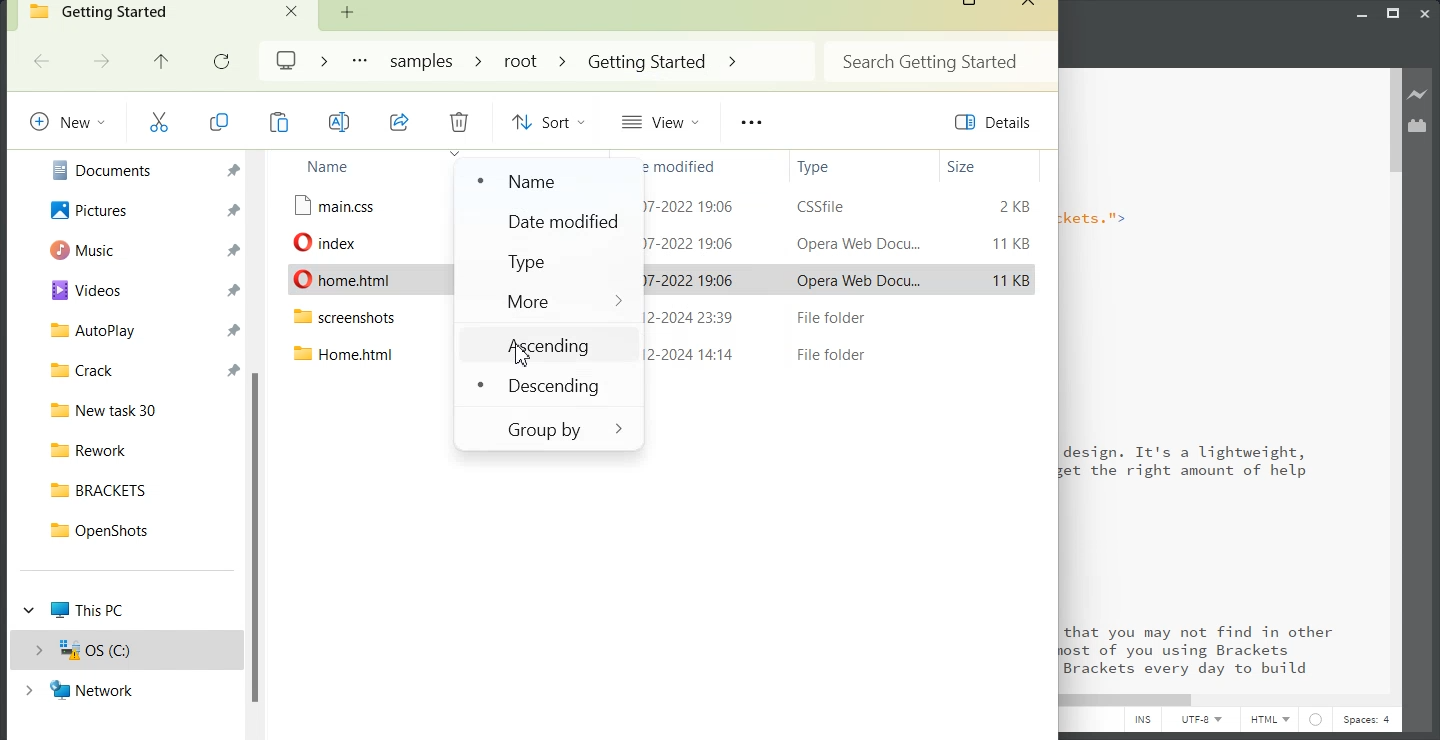 This screenshot has width=1440, height=740. Describe the element at coordinates (138, 332) in the screenshot. I see `Auto play` at that location.